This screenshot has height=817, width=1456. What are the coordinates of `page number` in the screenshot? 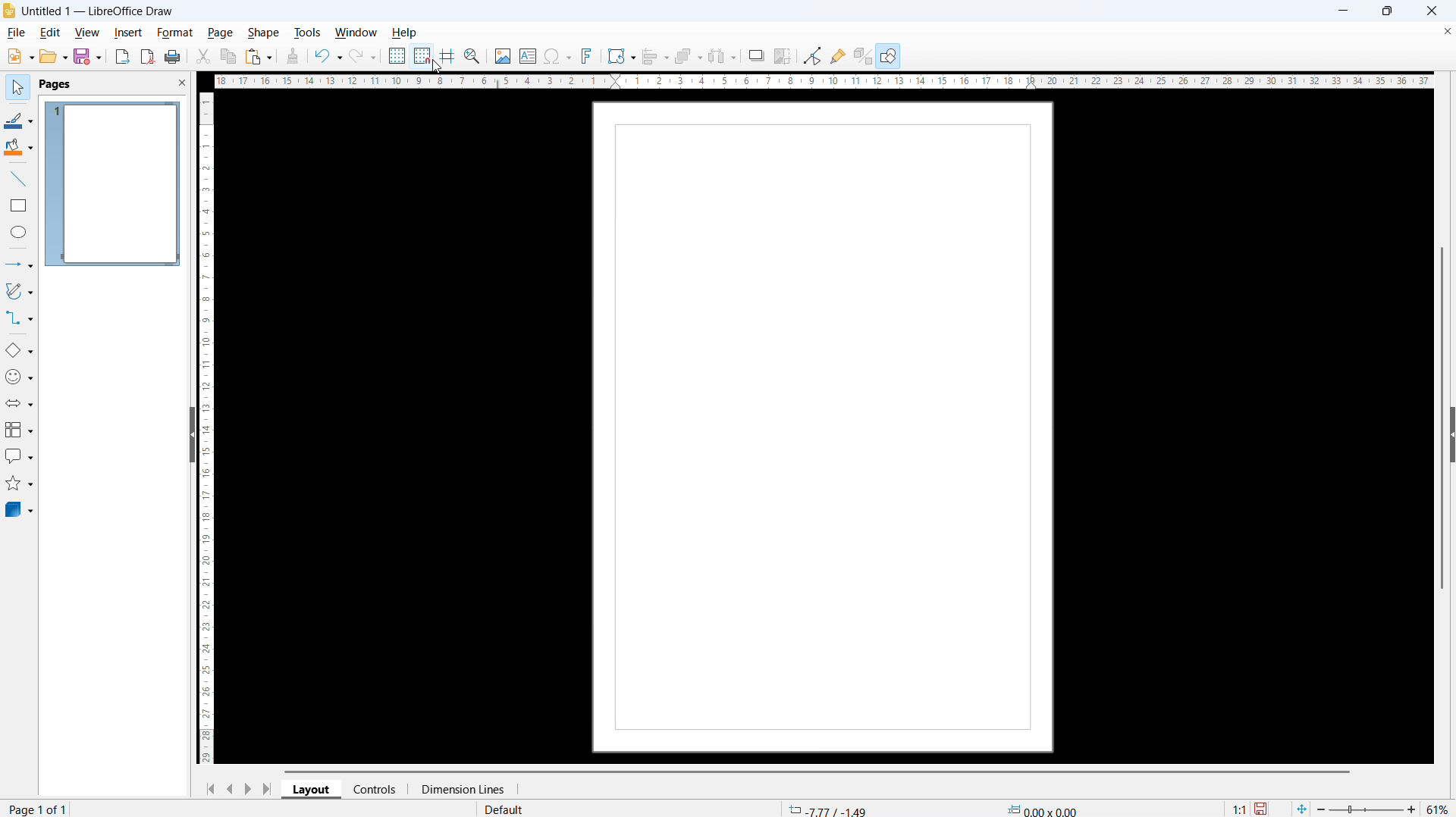 It's located at (40, 808).